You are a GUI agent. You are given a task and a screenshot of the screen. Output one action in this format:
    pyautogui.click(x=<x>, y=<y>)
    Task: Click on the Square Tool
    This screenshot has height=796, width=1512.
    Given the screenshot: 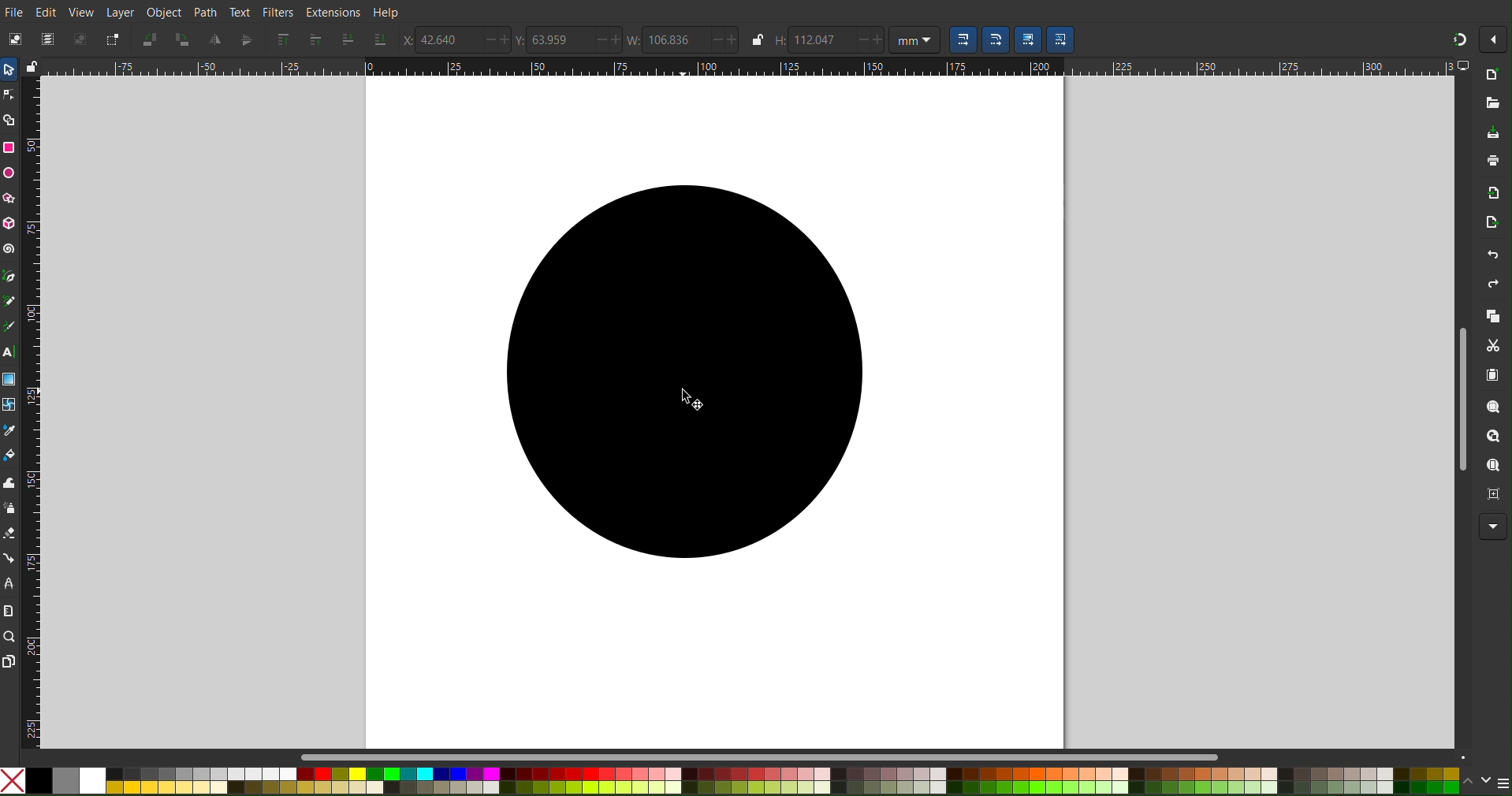 What is the action you would take?
    pyautogui.click(x=9, y=148)
    